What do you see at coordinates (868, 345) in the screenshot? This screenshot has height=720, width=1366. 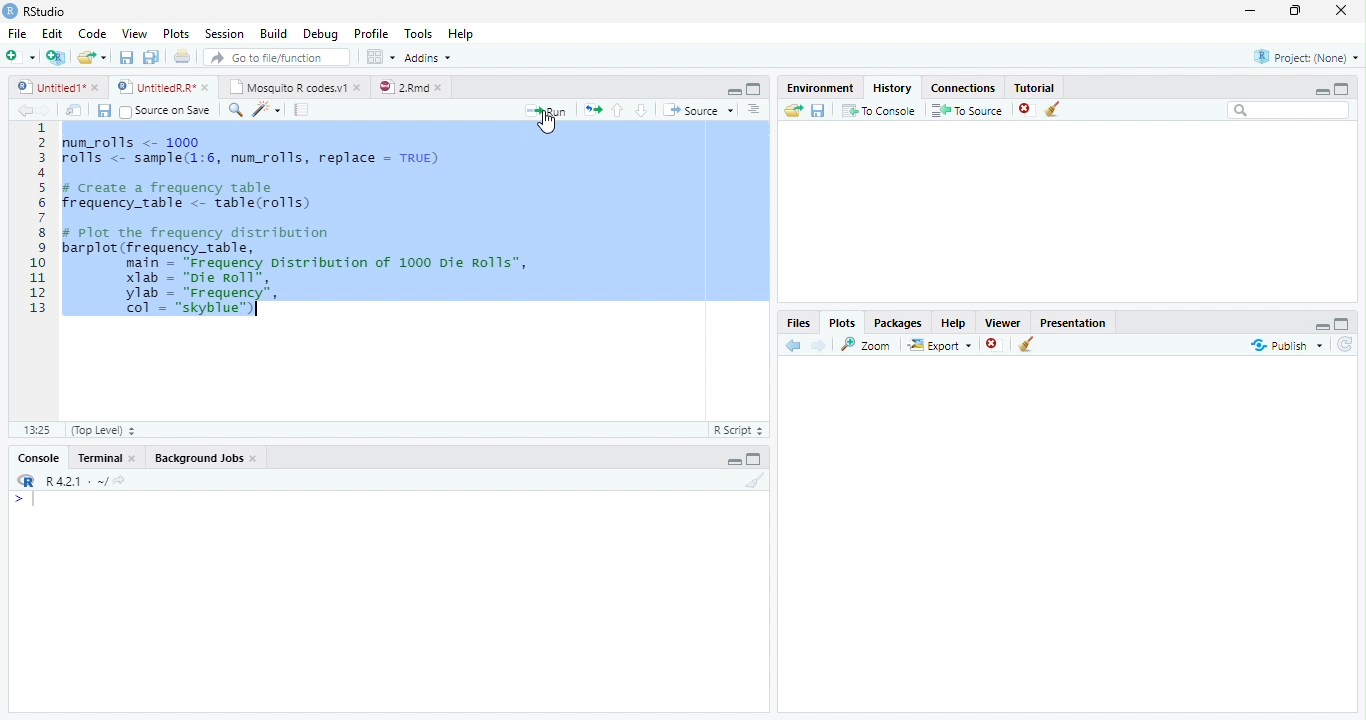 I see `Zoom` at bounding box center [868, 345].